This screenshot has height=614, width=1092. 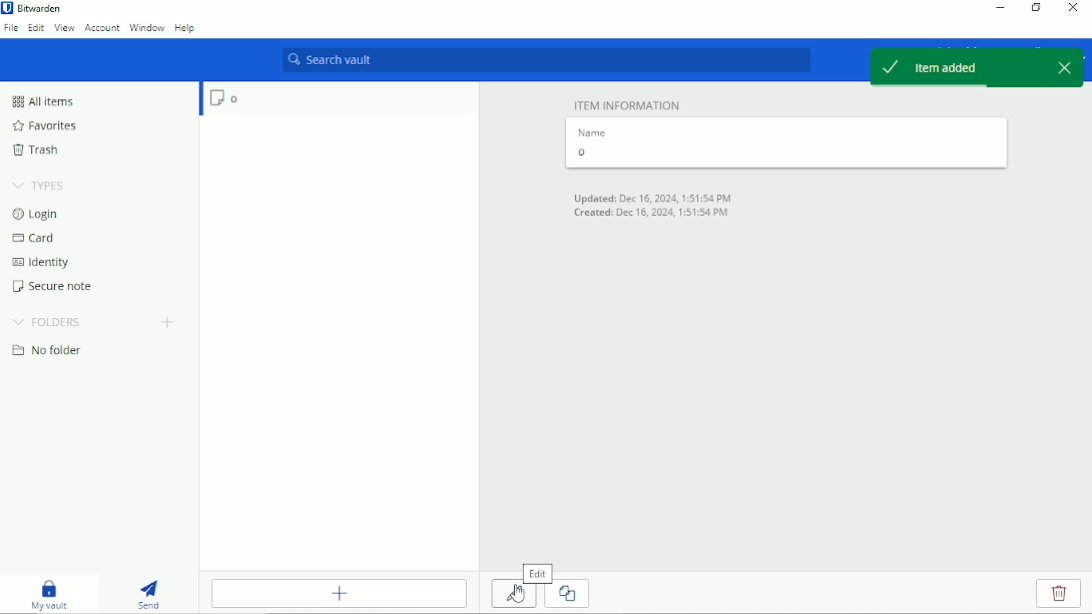 What do you see at coordinates (653, 196) in the screenshot?
I see `Updated: Dec 16, 2024, 1:51:54 PM` at bounding box center [653, 196].